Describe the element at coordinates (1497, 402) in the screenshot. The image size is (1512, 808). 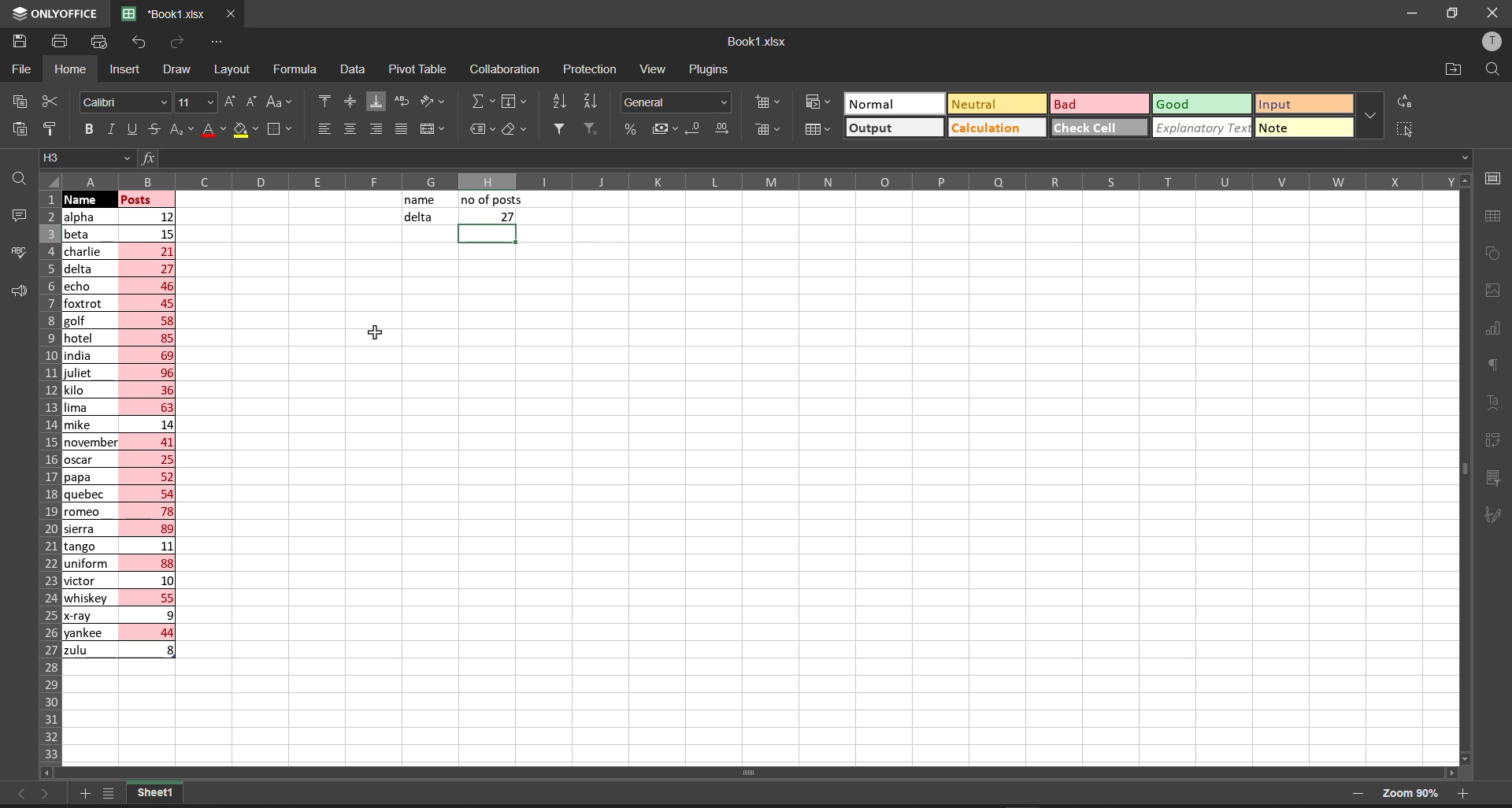
I see `text settings` at that location.